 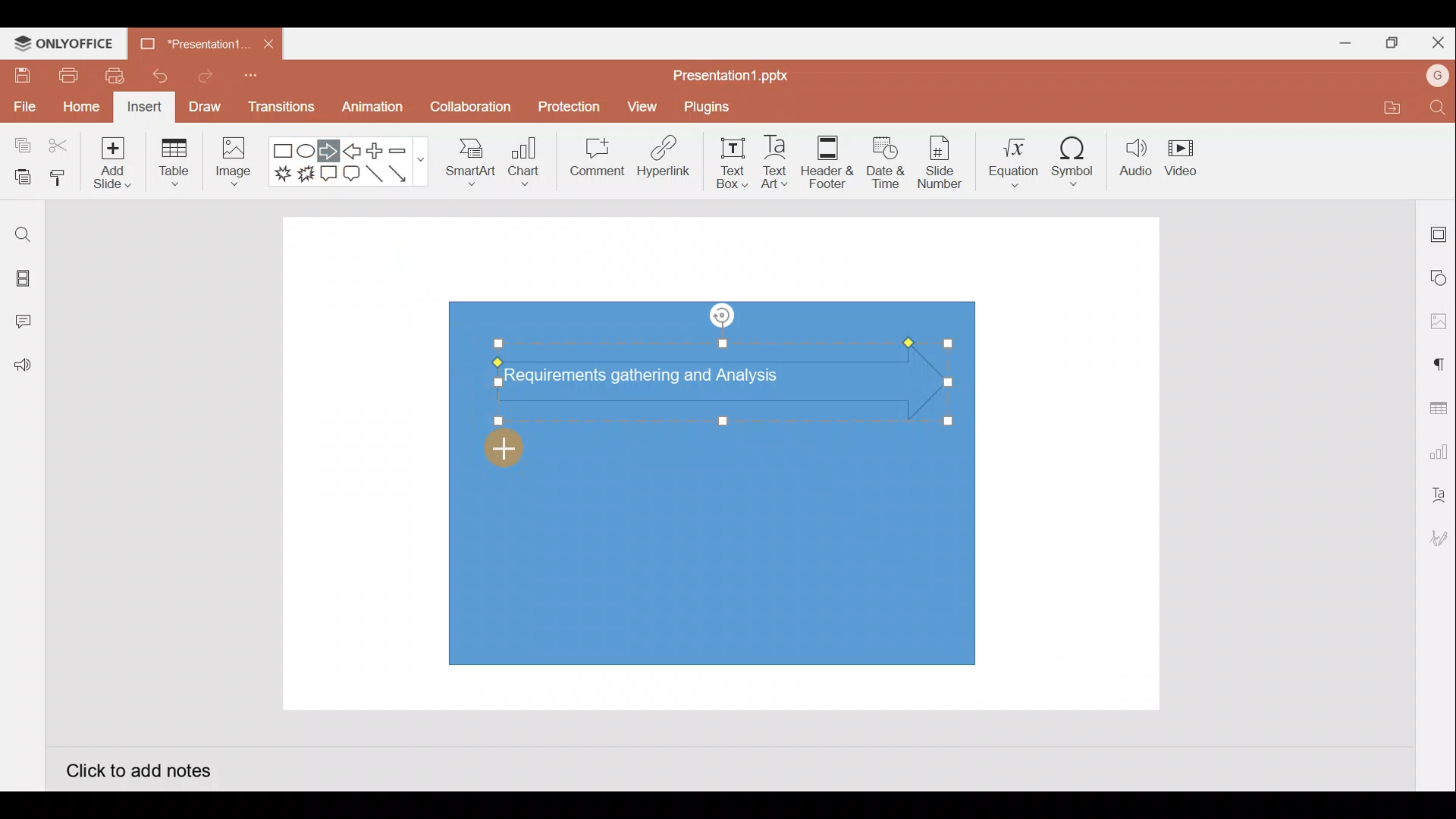 I want to click on Save, so click(x=20, y=74).